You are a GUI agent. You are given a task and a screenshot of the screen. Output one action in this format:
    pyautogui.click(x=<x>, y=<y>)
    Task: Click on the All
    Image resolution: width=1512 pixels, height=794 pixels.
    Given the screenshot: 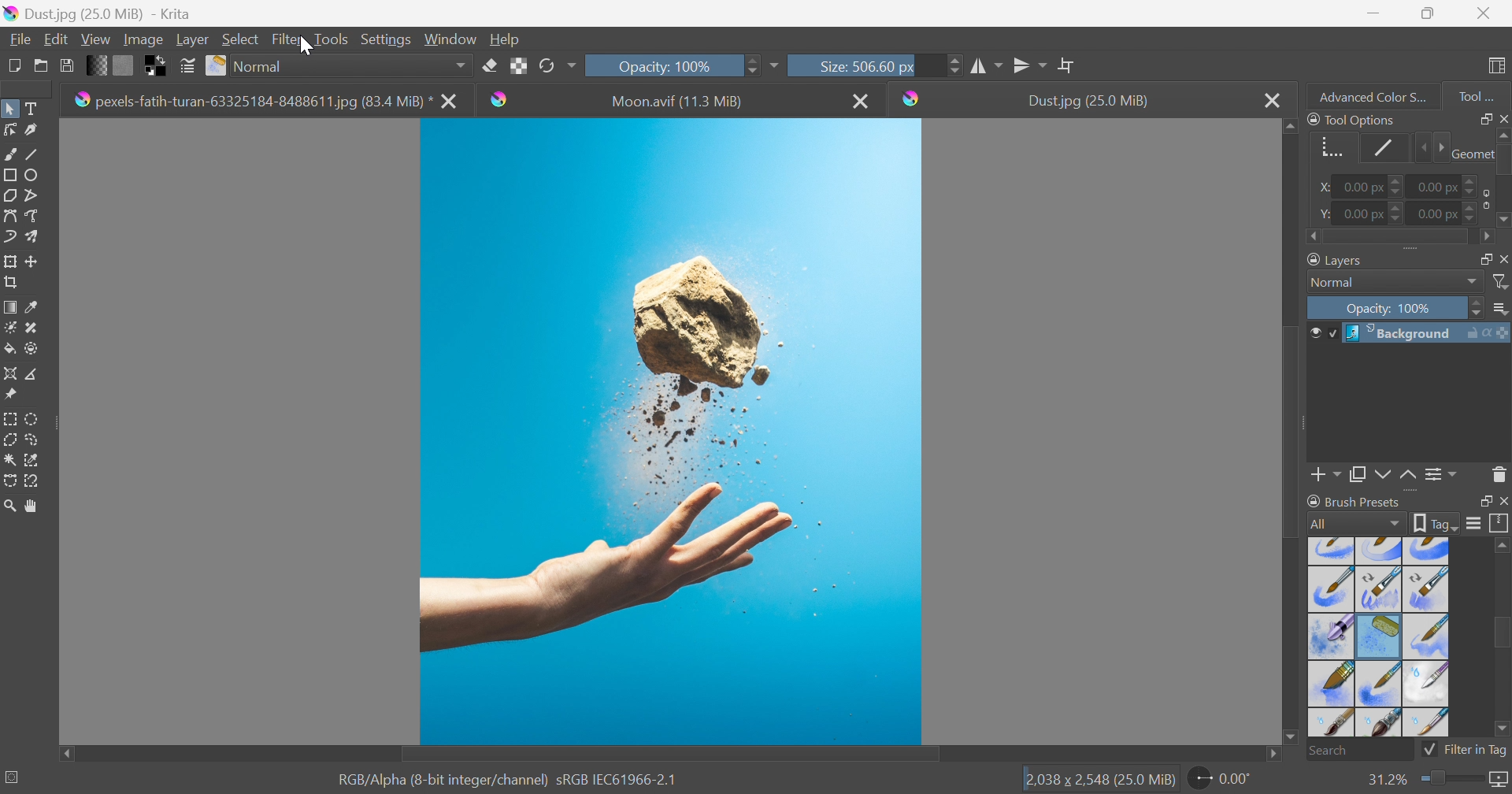 What is the action you would take?
    pyautogui.click(x=1355, y=523)
    